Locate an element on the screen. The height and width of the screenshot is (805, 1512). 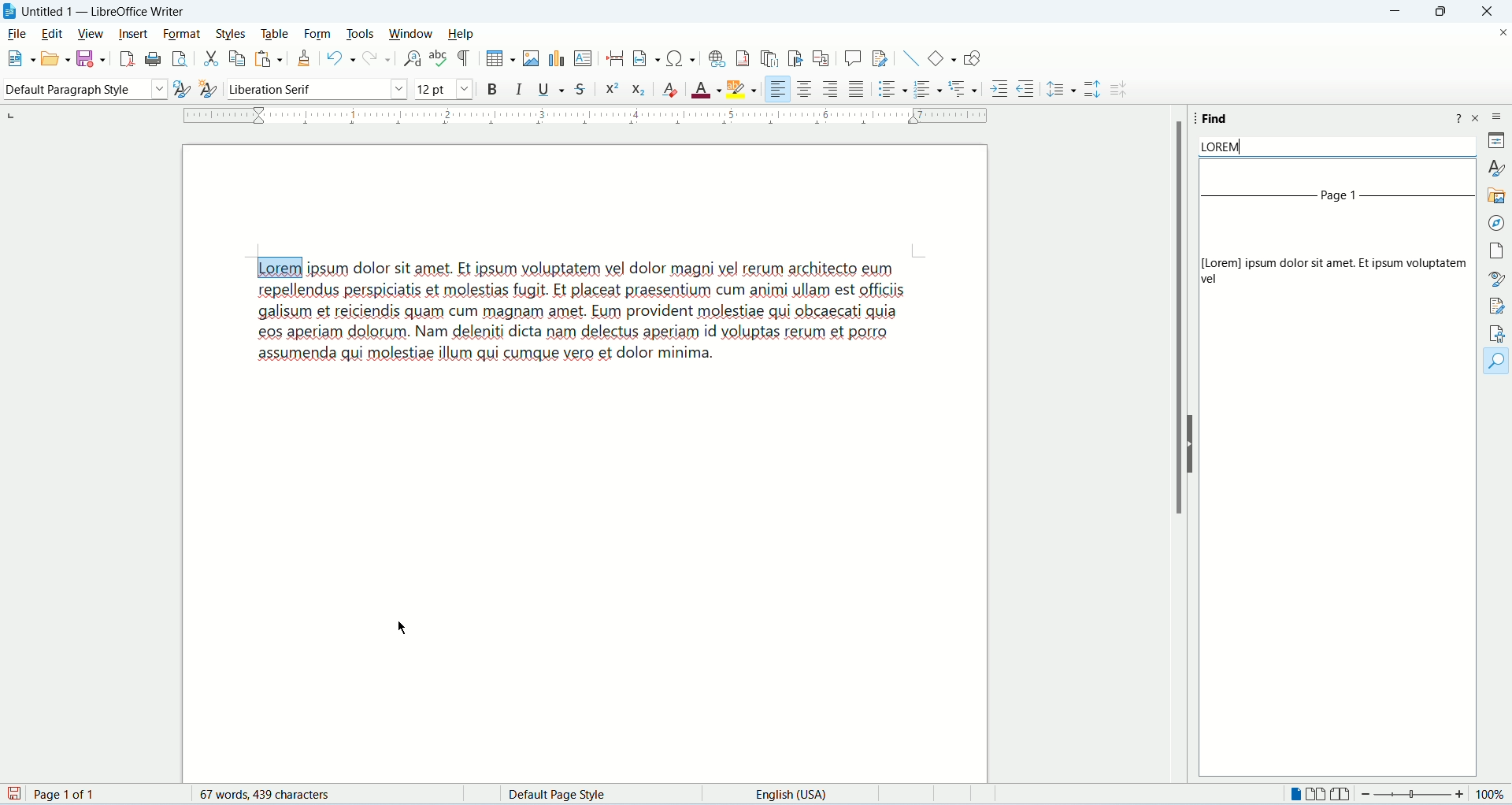
unordered list is located at coordinates (888, 91).